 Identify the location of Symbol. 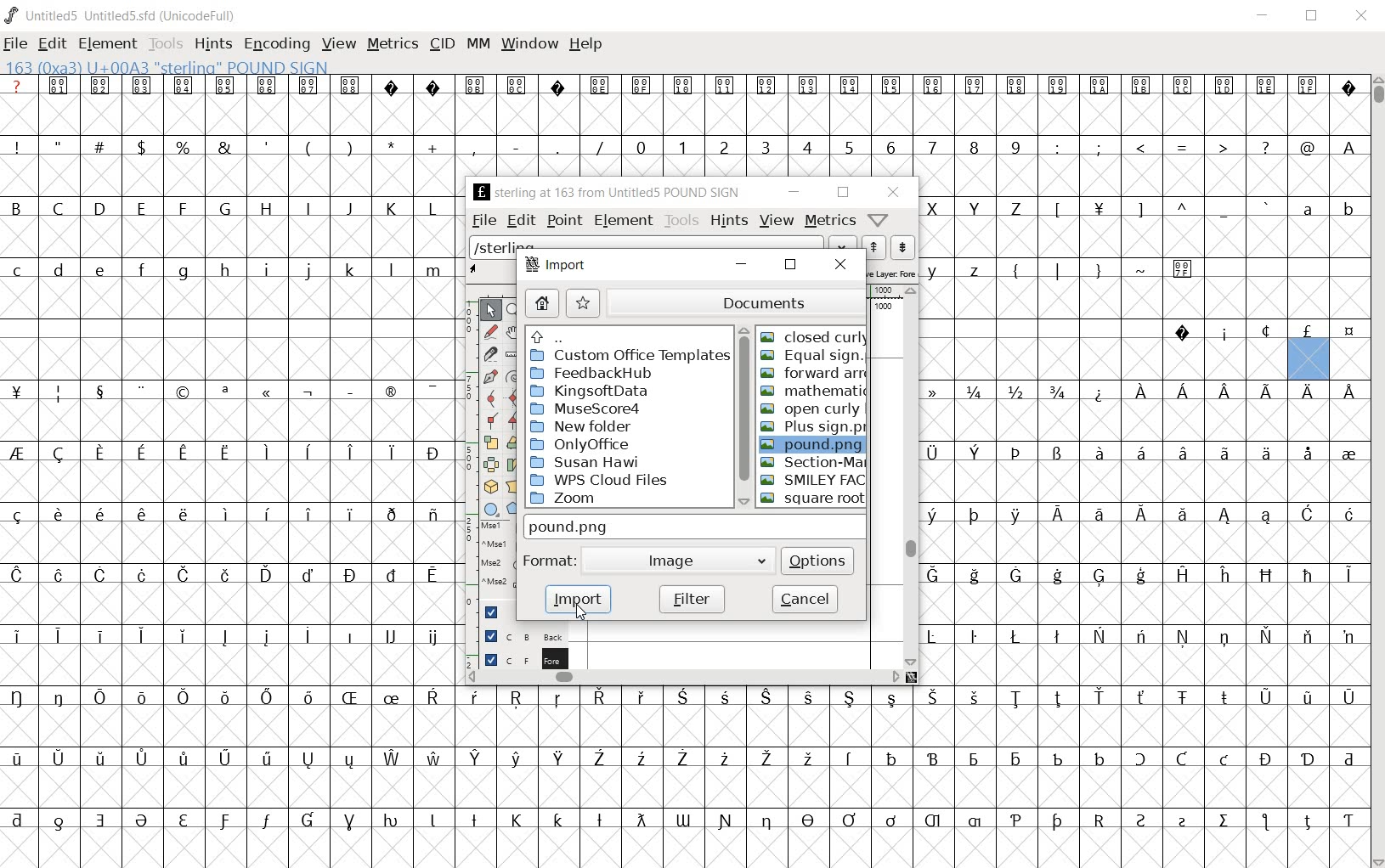
(1224, 86).